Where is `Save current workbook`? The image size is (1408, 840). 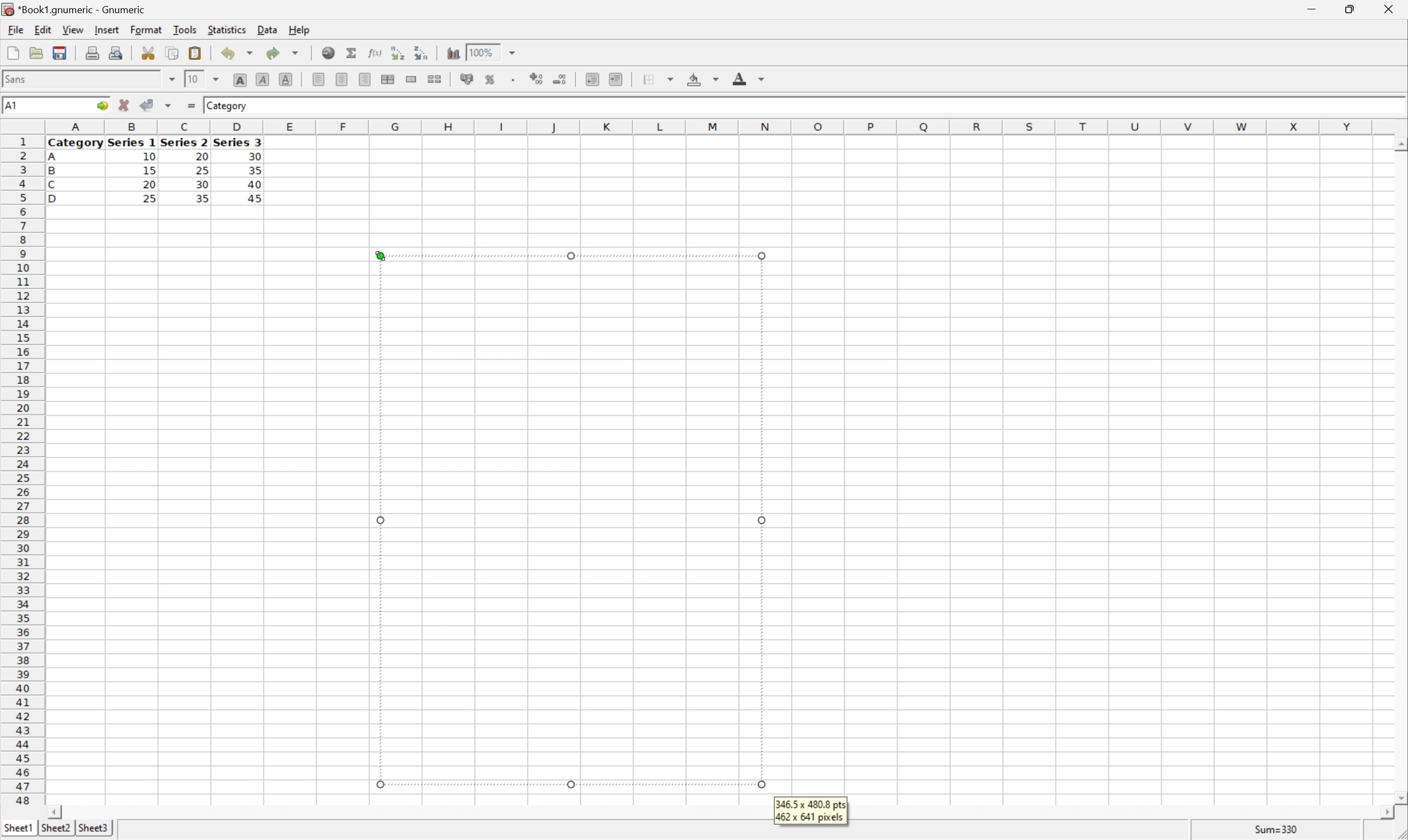 Save current workbook is located at coordinates (59, 52).